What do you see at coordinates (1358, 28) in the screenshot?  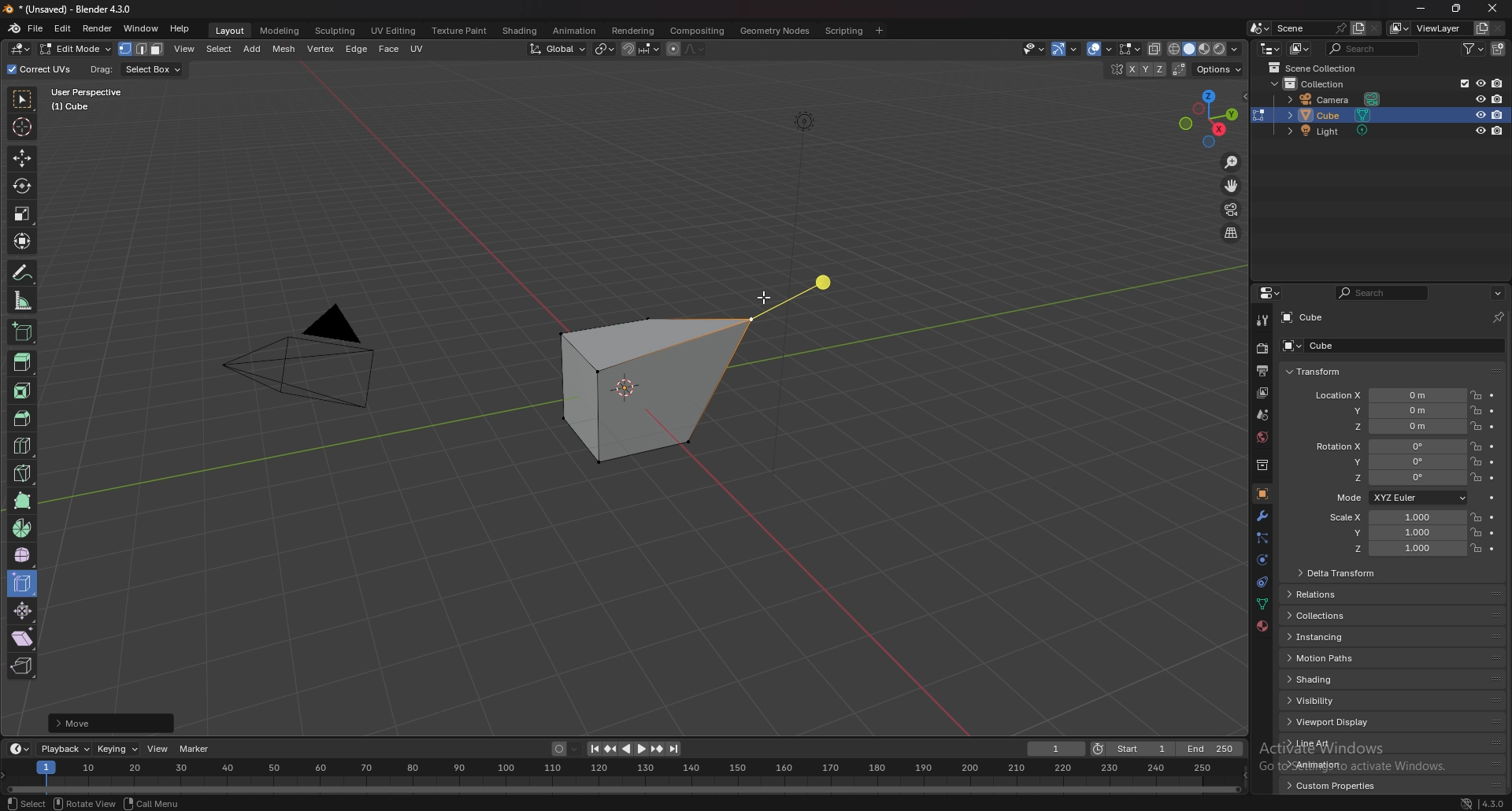 I see `add layer` at bounding box center [1358, 28].